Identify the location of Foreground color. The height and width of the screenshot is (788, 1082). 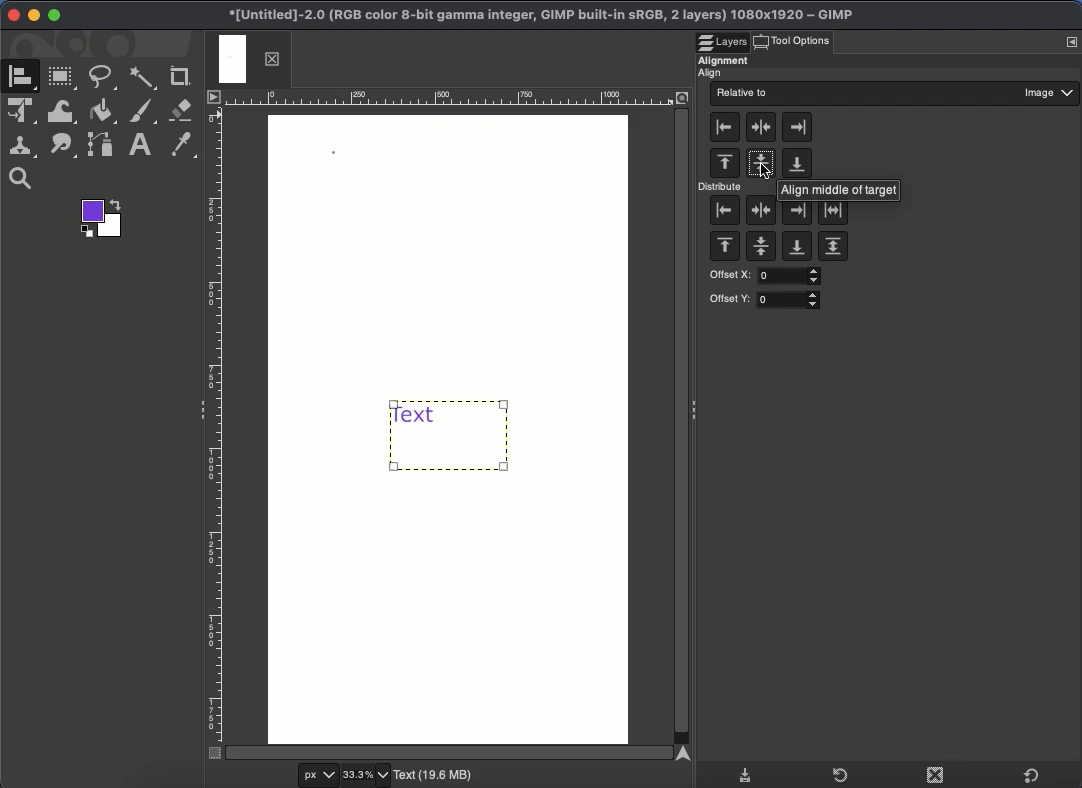
(103, 218).